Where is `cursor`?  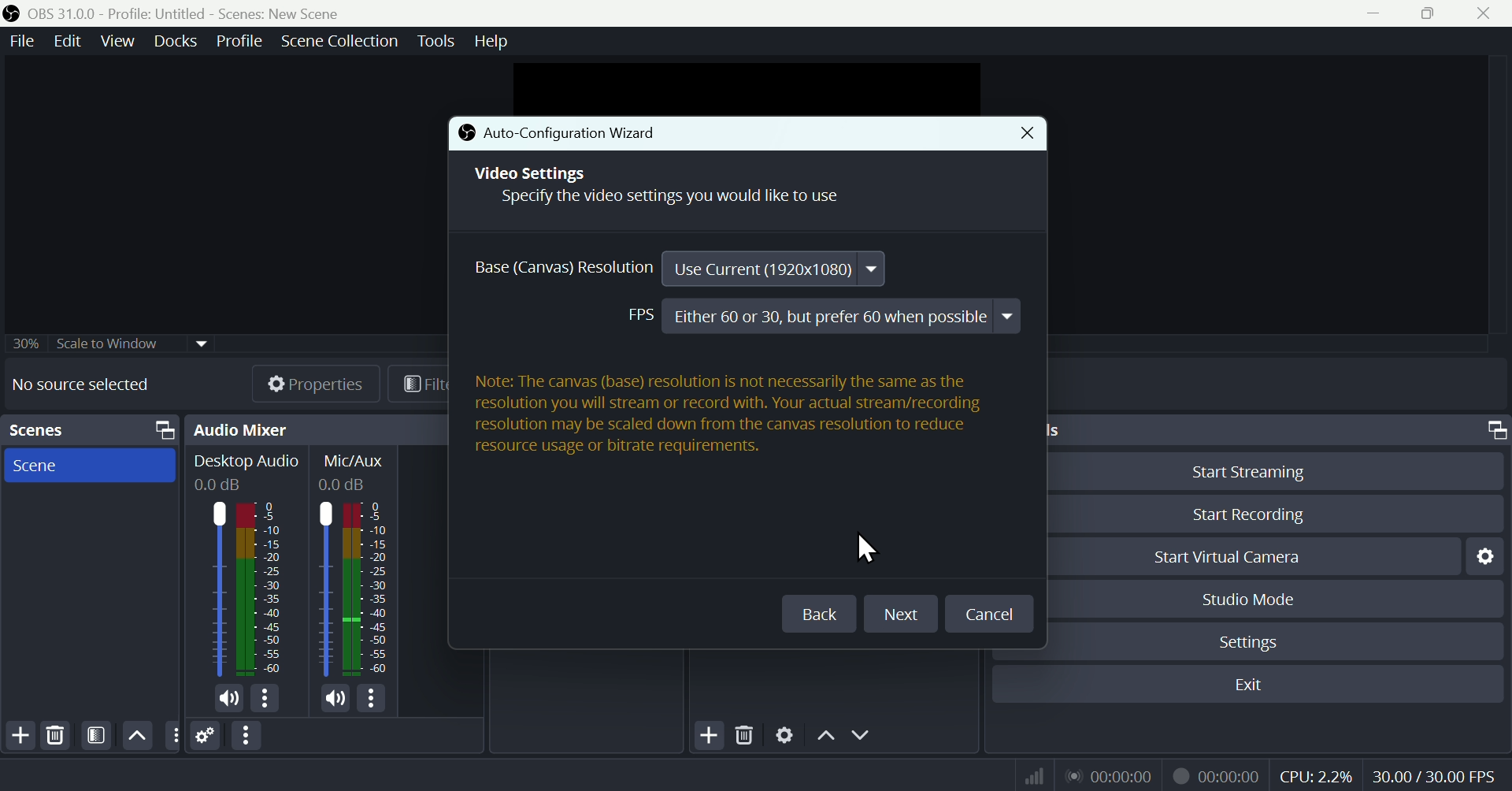 cursor is located at coordinates (861, 548).